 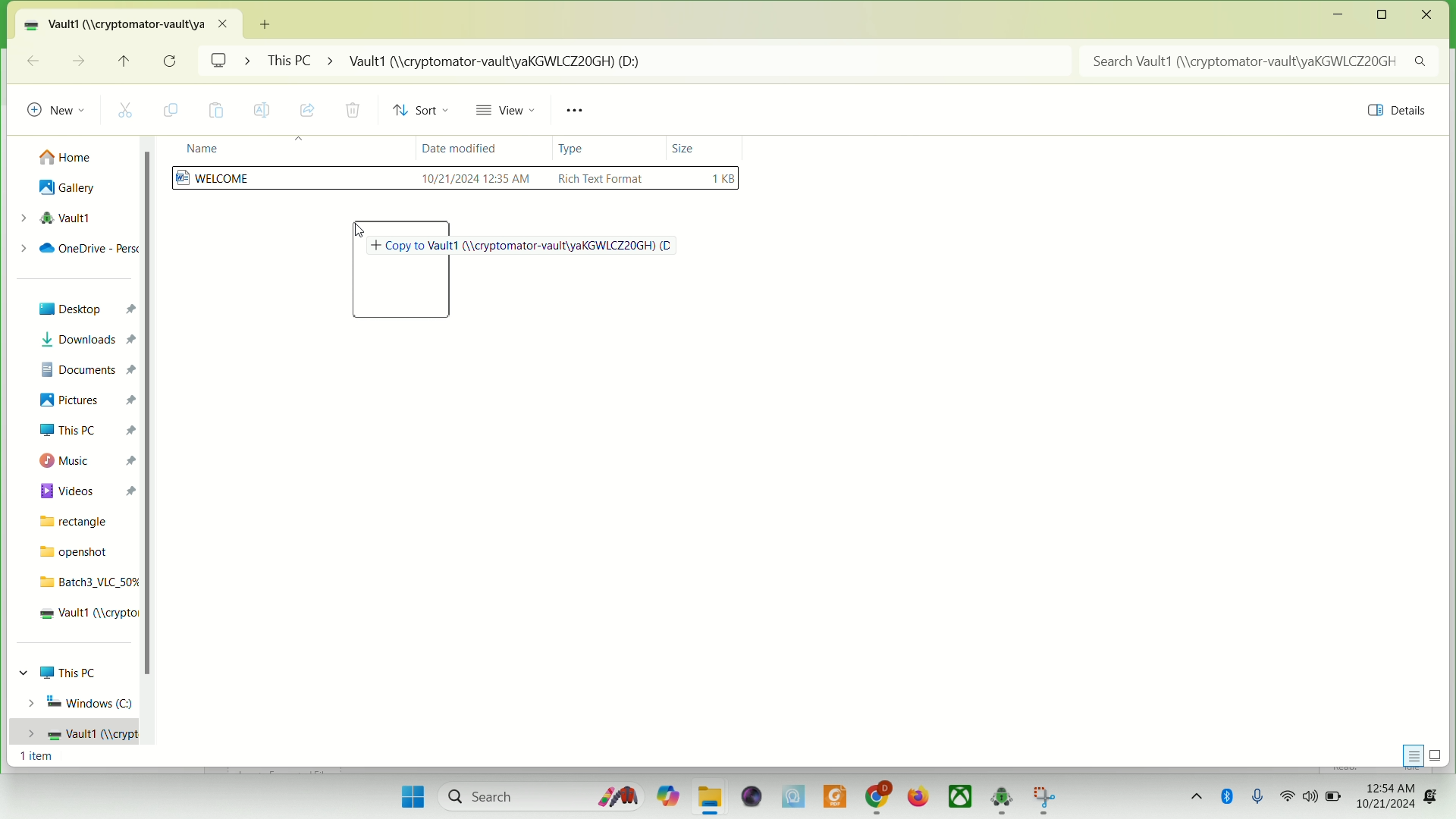 I want to click on New tab, so click(x=273, y=24).